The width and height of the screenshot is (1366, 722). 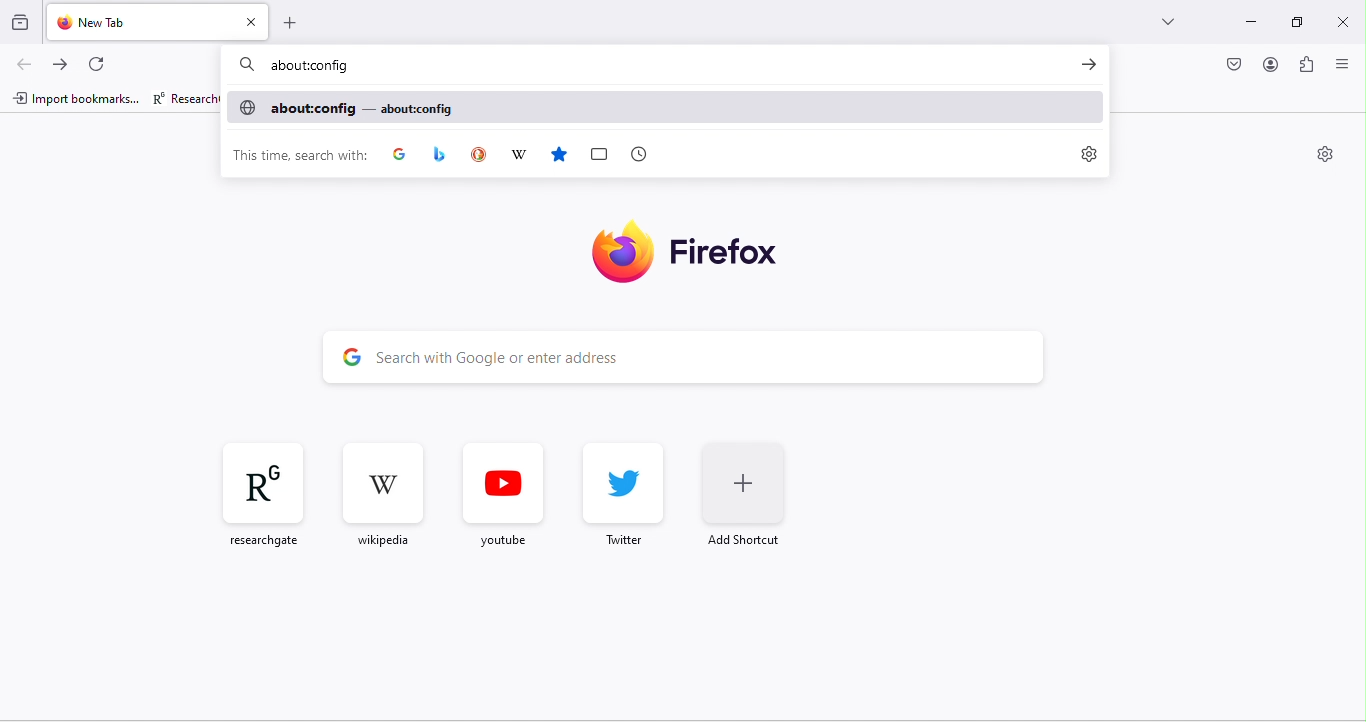 What do you see at coordinates (1086, 150) in the screenshot?
I see `settings` at bounding box center [1086, 150].